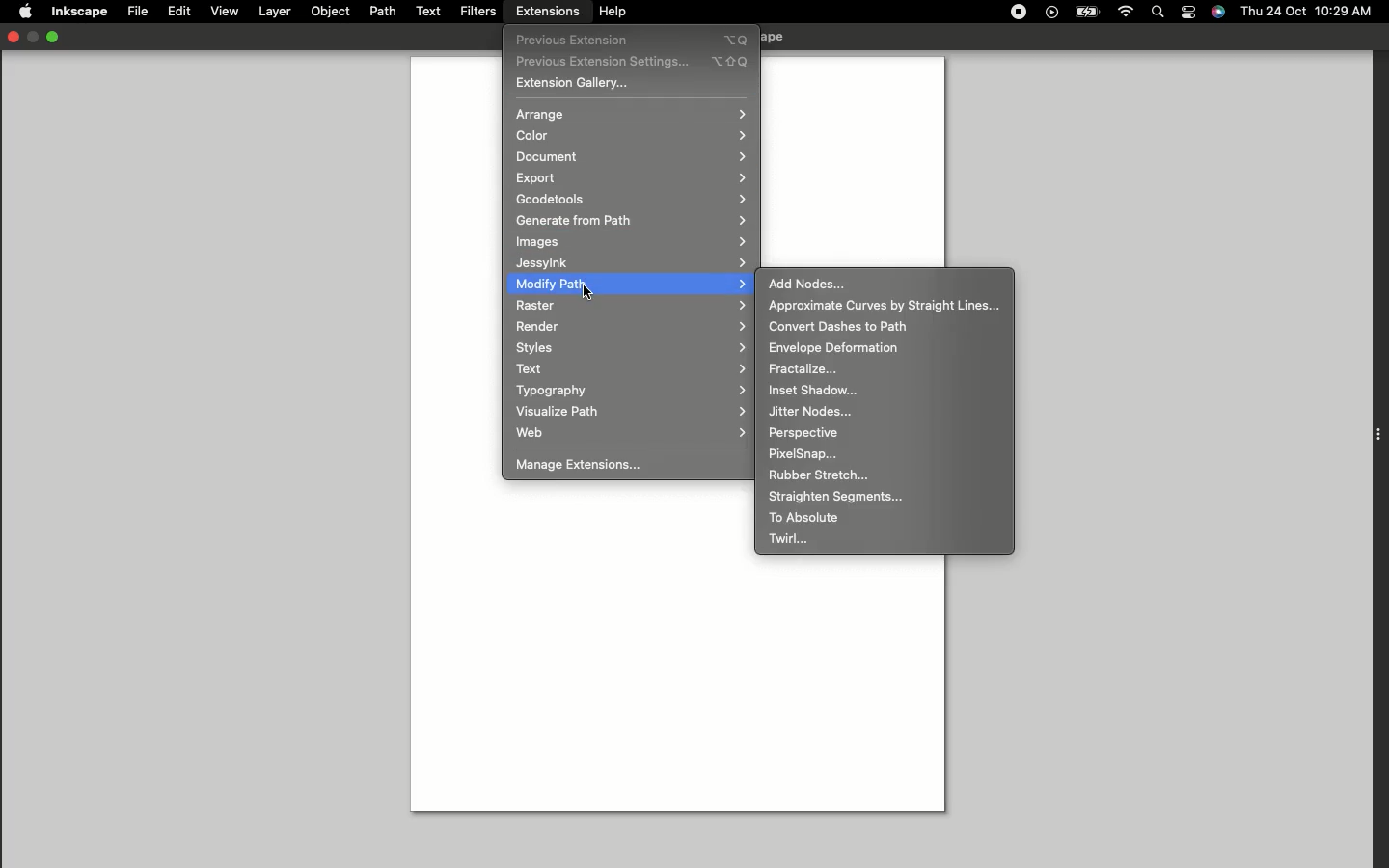 This screenshot has height=868, width=1389. Describe the element at coordinates (804, 453) in the screenshot. I see `PixelSnap` at that location.